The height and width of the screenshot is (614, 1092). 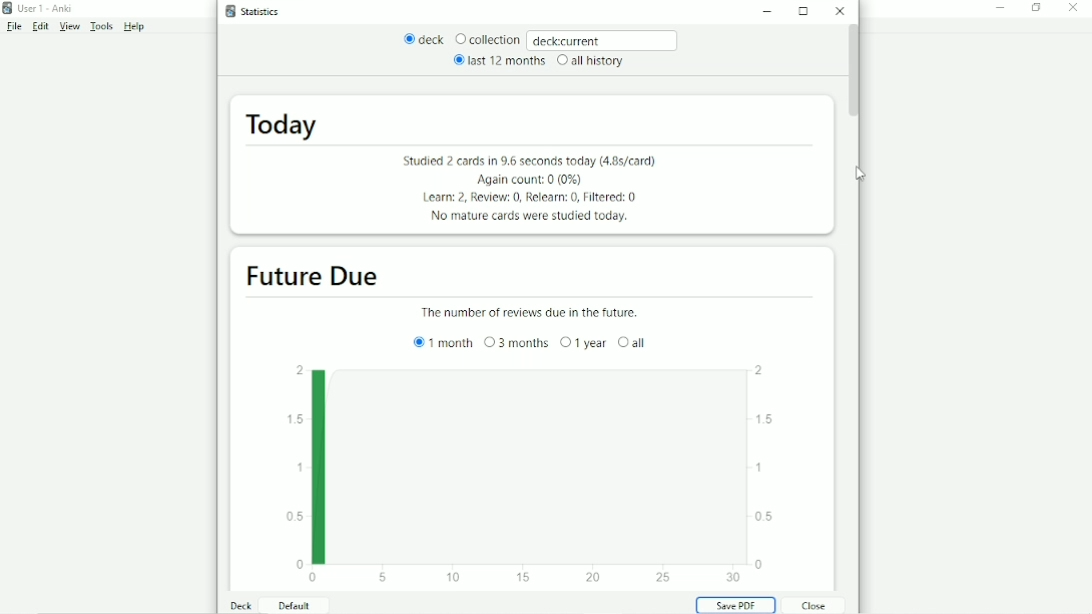 What do you see at coordinates (70, 27) in the screenshot?
I see `View` at bounding box center [70, 27].